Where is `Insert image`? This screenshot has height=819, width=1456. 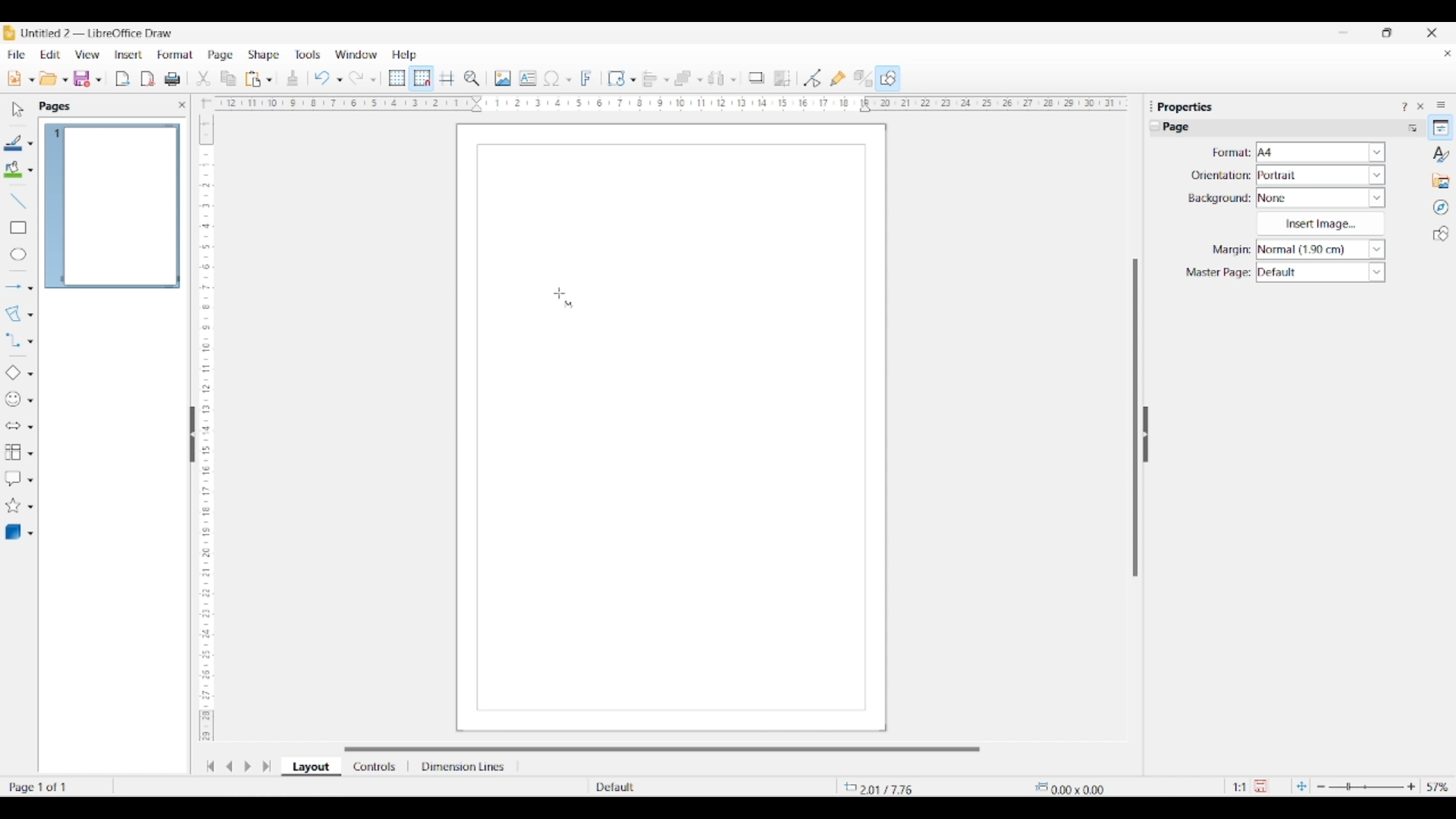 Insert image is located at coordinates (1320, 224).